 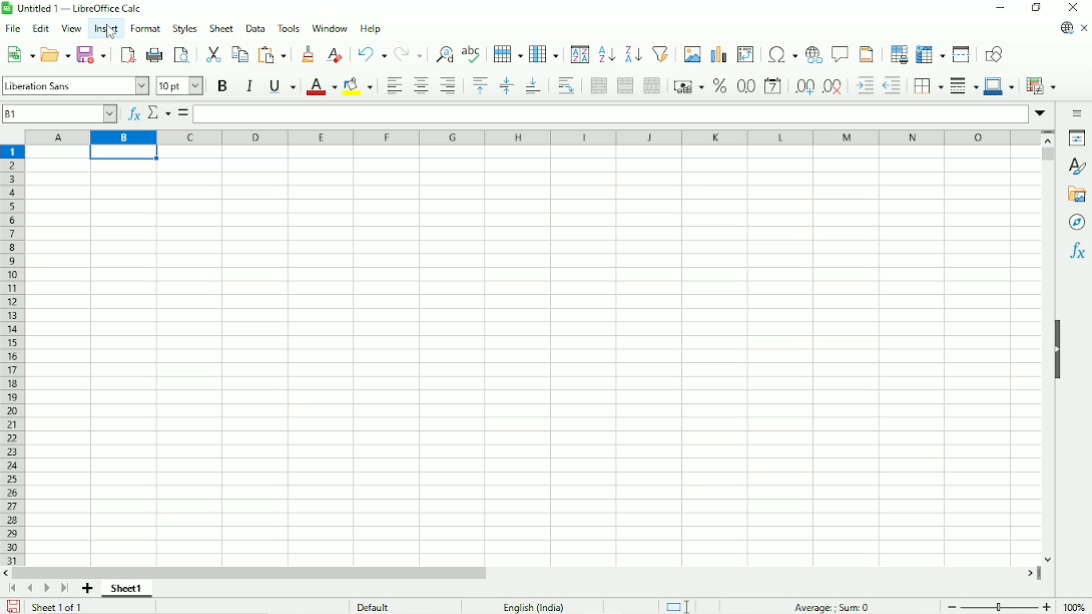 What do you see at coordinates (897, 53) in the screenshot?
I see `Define print area` at bounding box center [897, 53].